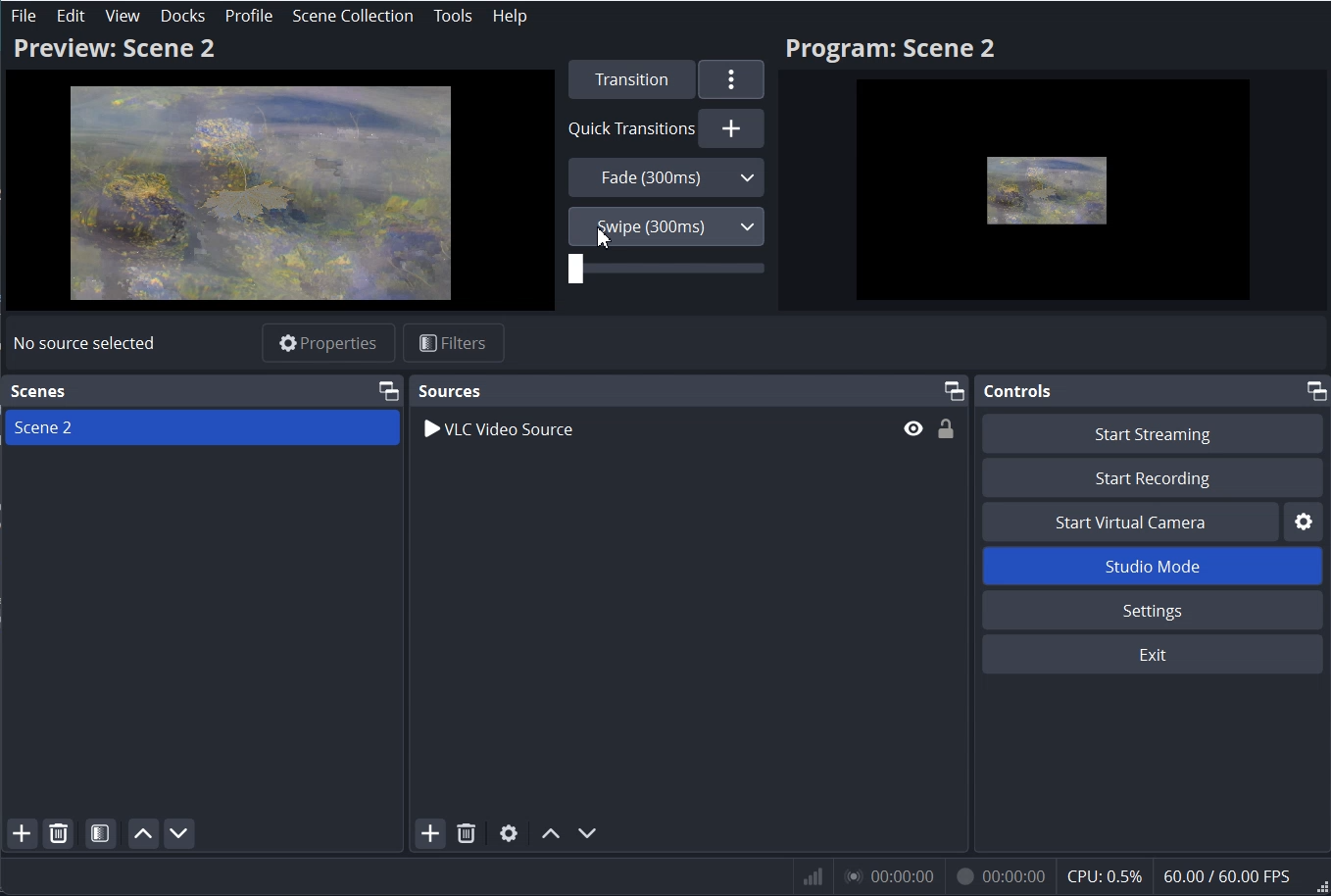 The height and width of the screenshot is (896, 1331). Describe the element at coordinates (1054, 173) in the screenshot. I see `Preview scene 2 ` at that location.